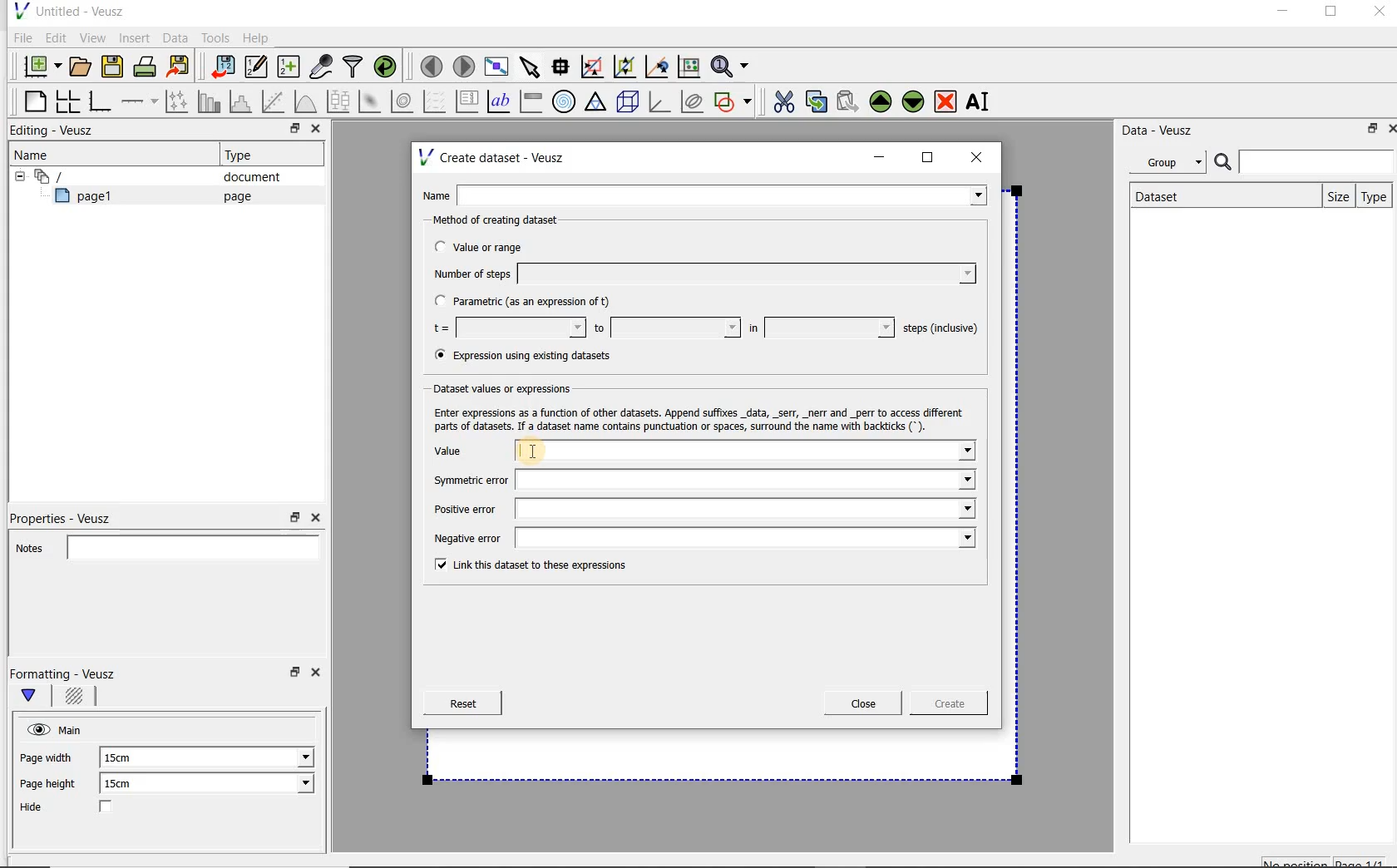 The height and width of the screenshot is (868, 1397). I want to click on add an axis to a plot, so click(141, 101).